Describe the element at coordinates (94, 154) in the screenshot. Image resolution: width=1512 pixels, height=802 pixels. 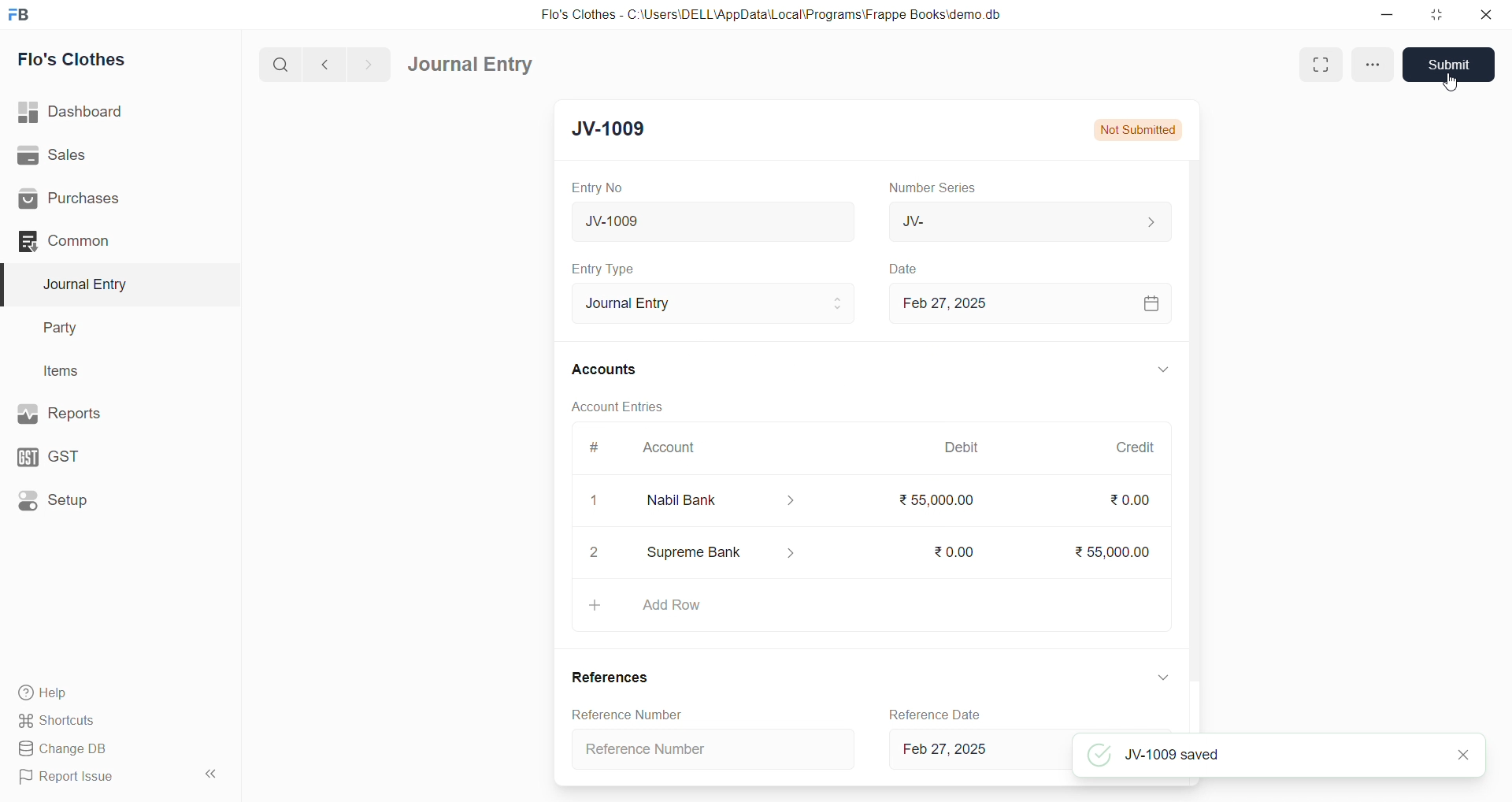
I see `Sales` at that location.